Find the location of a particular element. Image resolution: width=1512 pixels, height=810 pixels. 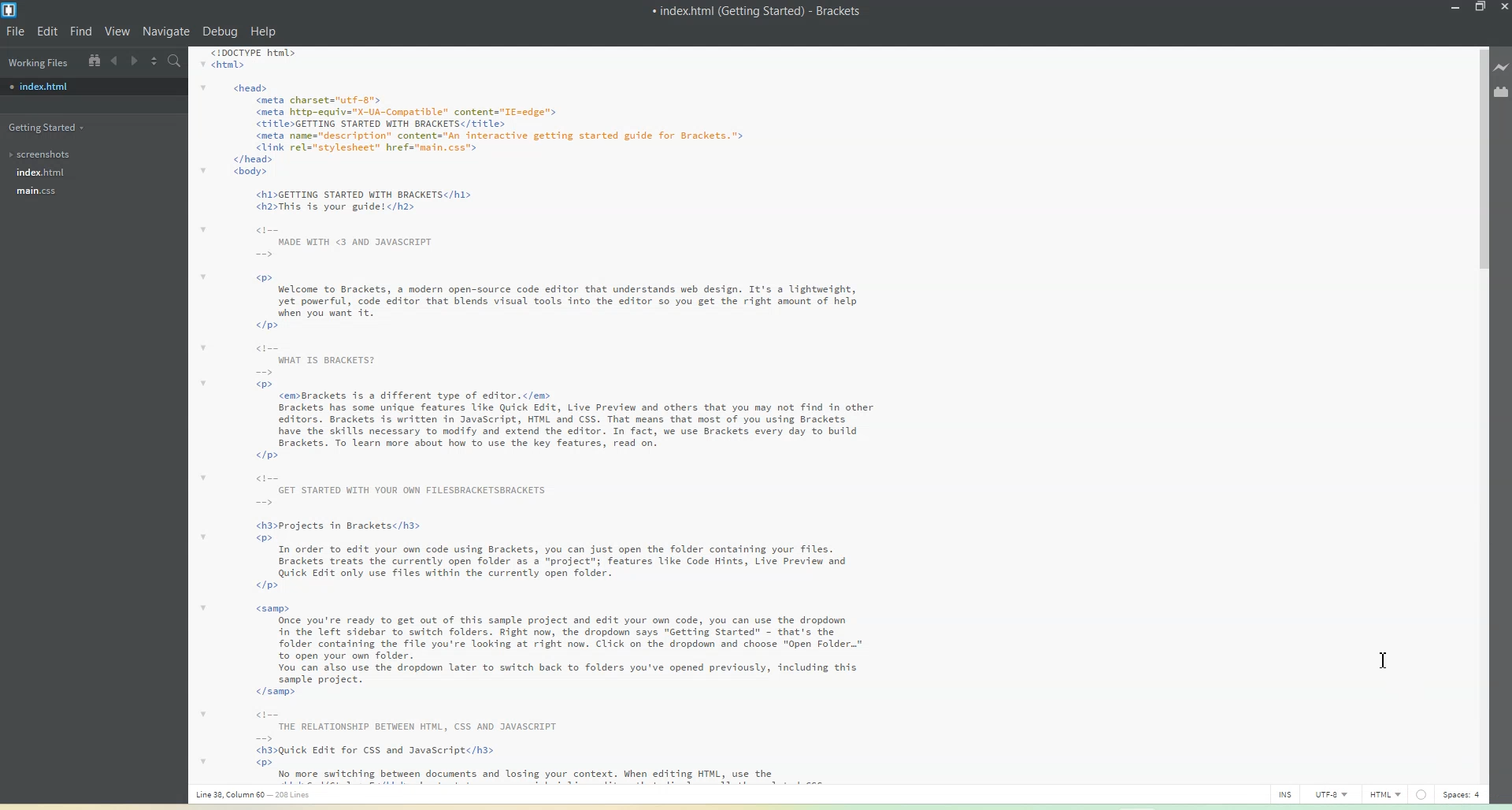

Working files is located at coordinates (37, 61).